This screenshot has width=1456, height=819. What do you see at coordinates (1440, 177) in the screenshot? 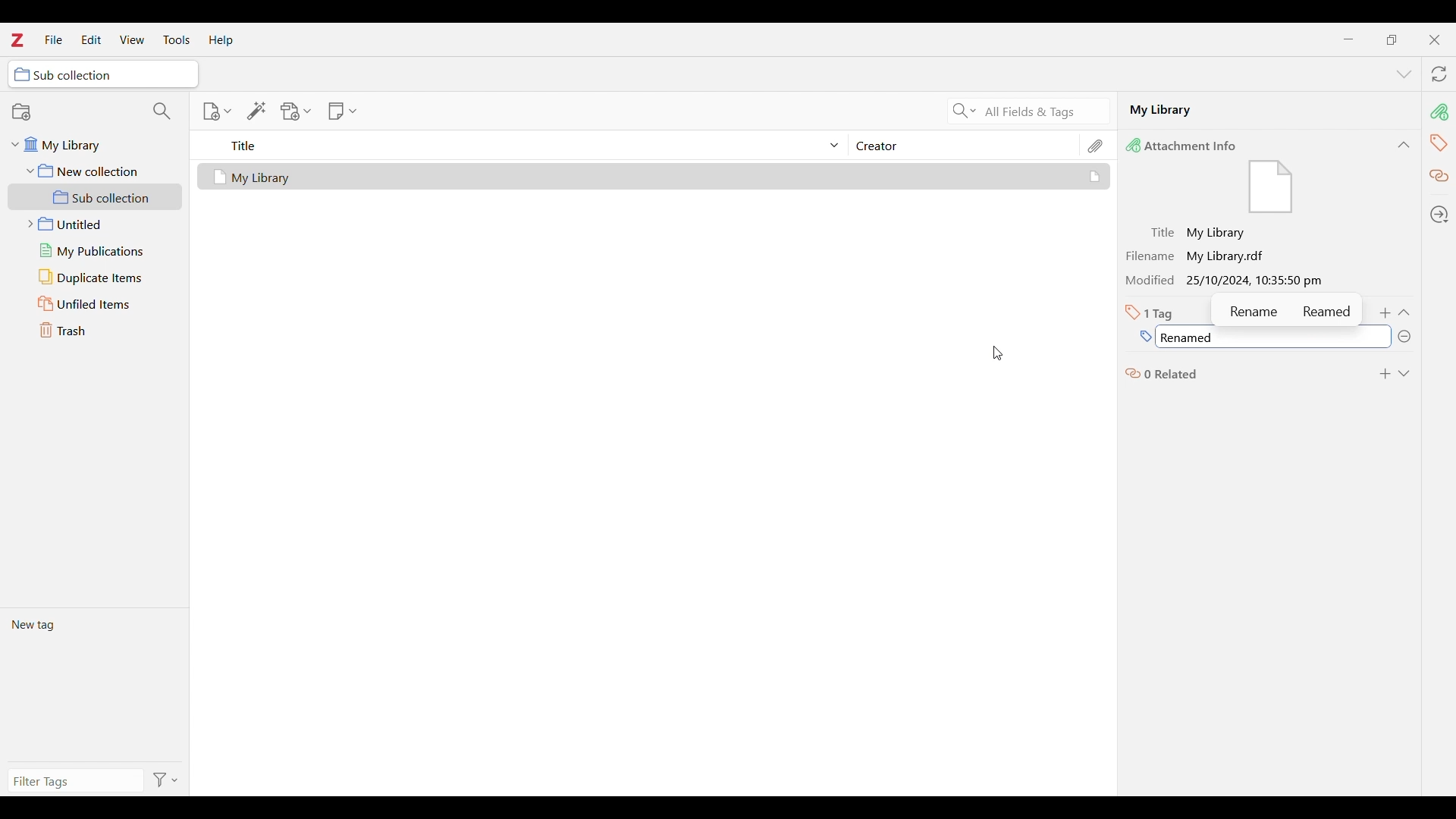
I see `Related` at bounding box center [1440, 177].